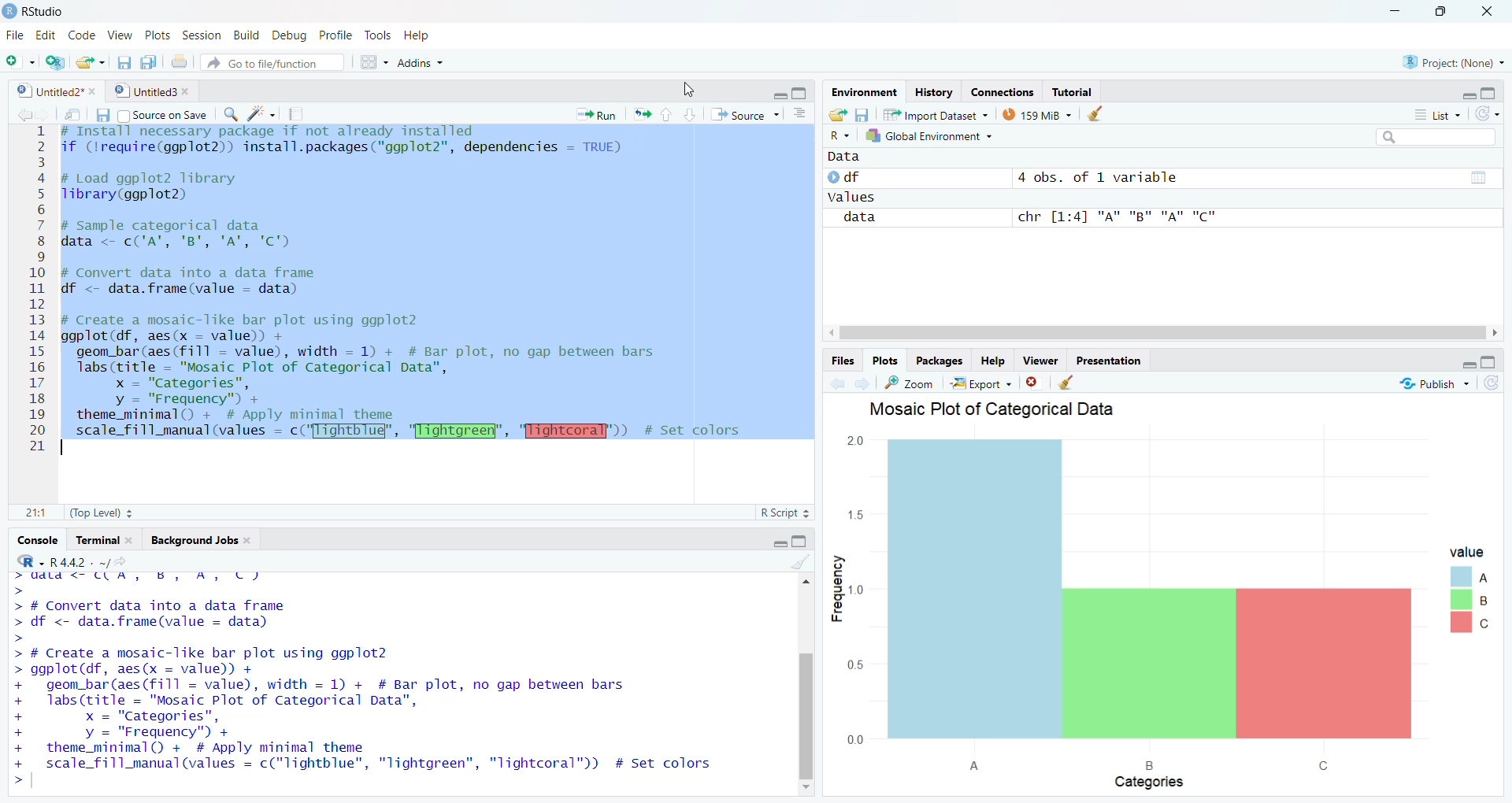 The height and width of the screenshot is (803, 1512). Describe the element at coordinates (1490, 383) in the screenshot. I see `Refresh` at that location.